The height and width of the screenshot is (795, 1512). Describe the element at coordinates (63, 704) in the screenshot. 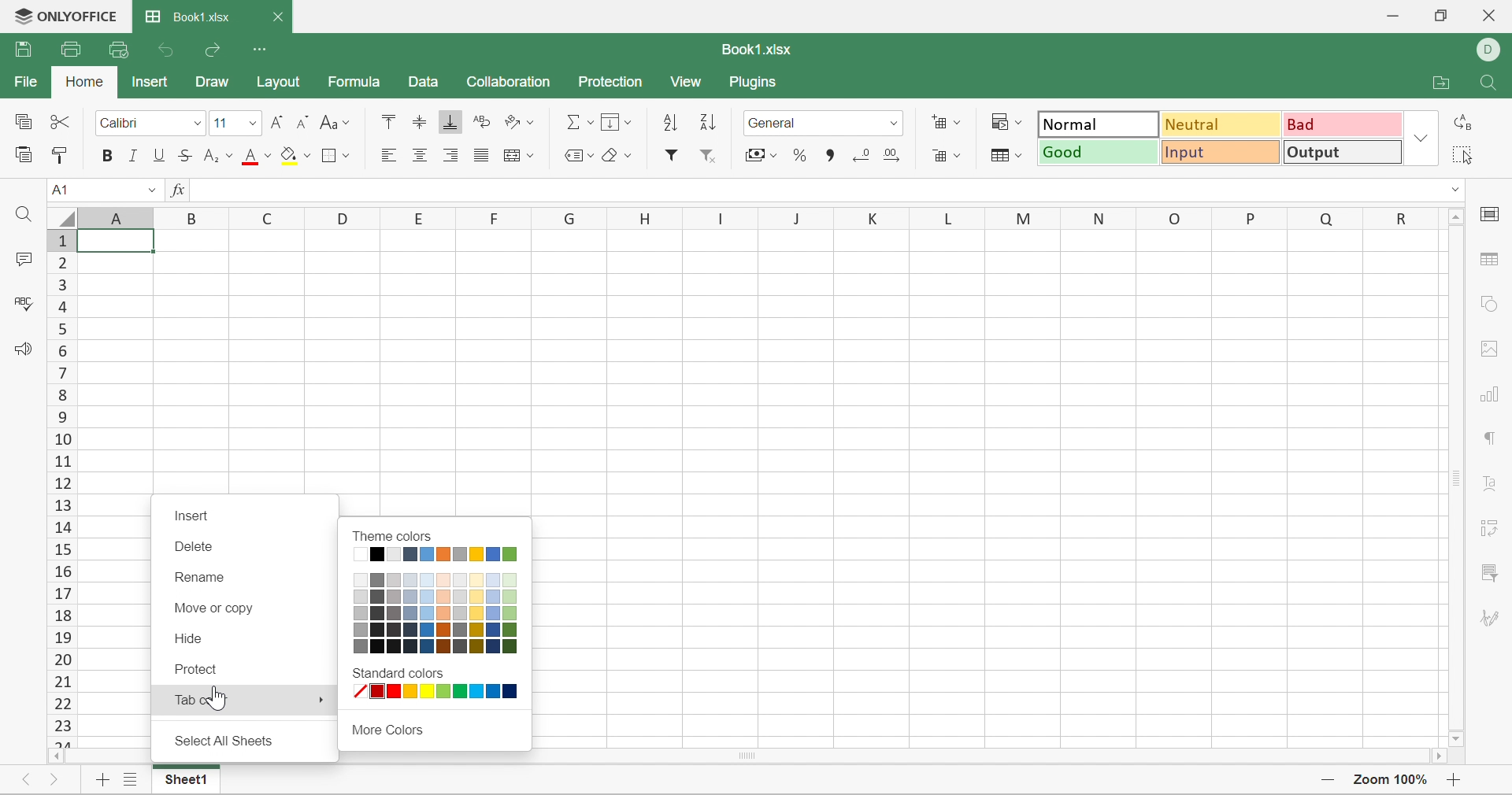

I see `22` at that location.